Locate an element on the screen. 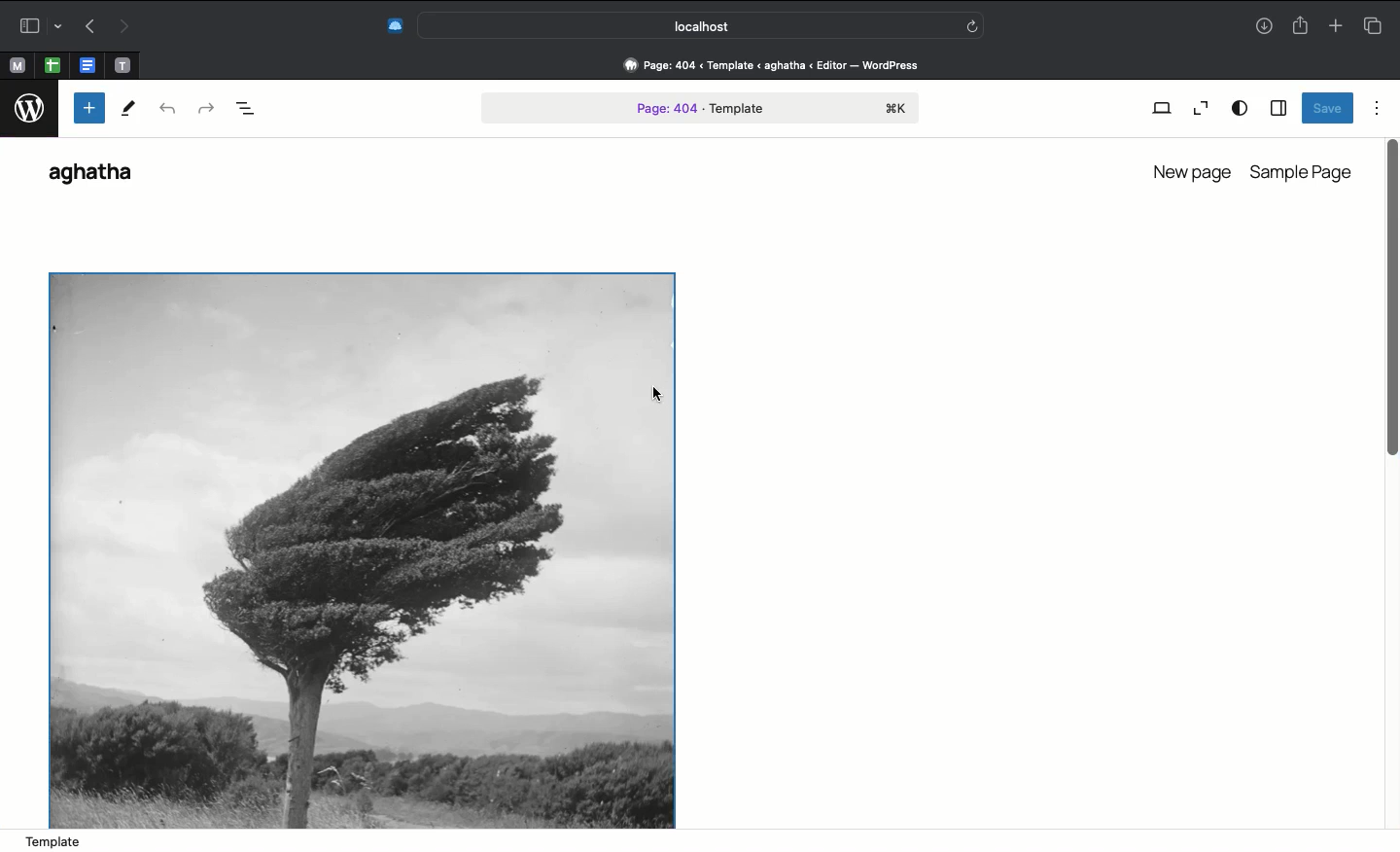 The image size is (1400, 852). Address is located at coordinates (700, 841).